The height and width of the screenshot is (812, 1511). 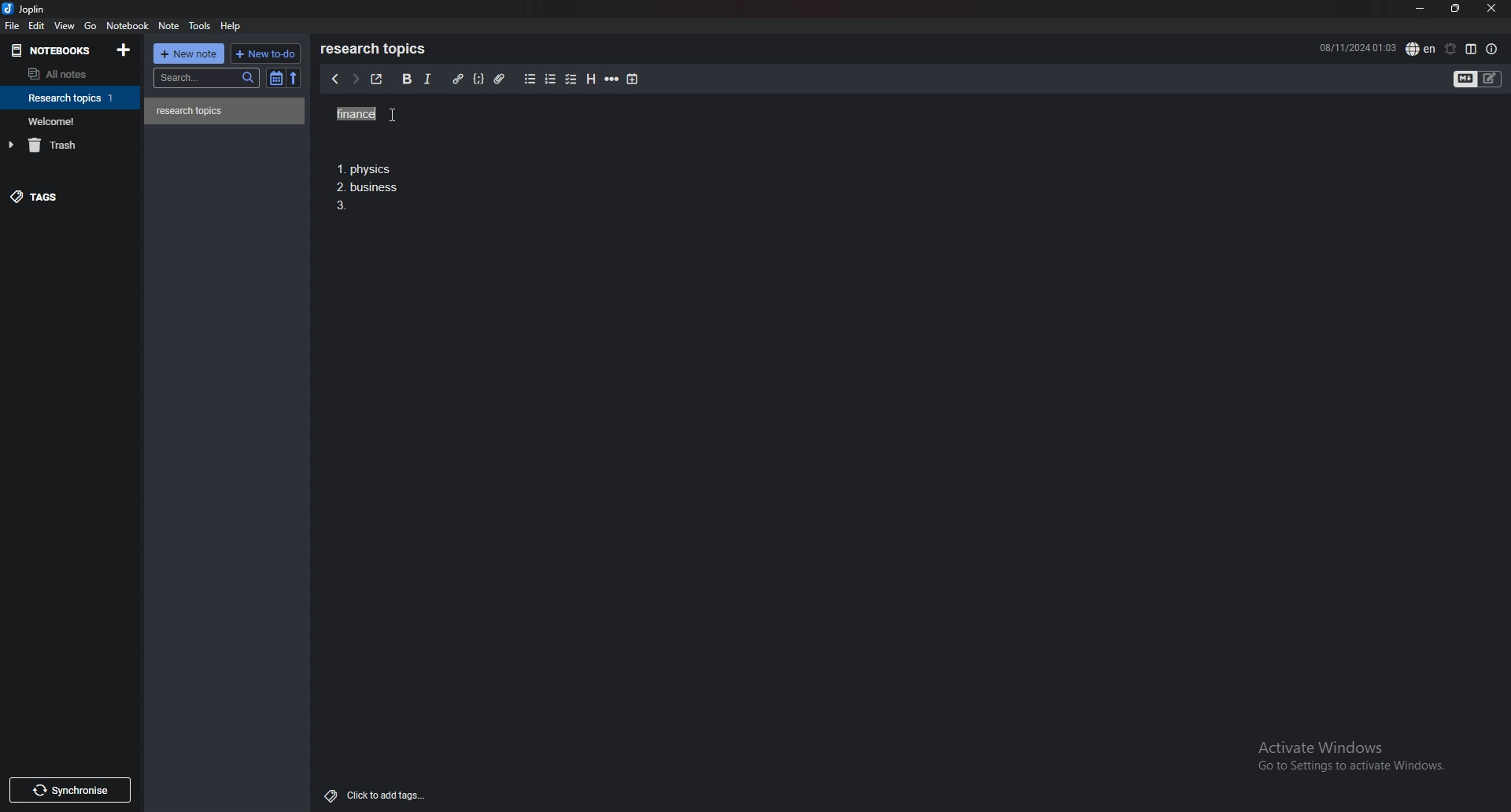 What do you see at coordinates (73, 789) in the screenshot?
I see `Synchronise` at bounding box center [73, 789].